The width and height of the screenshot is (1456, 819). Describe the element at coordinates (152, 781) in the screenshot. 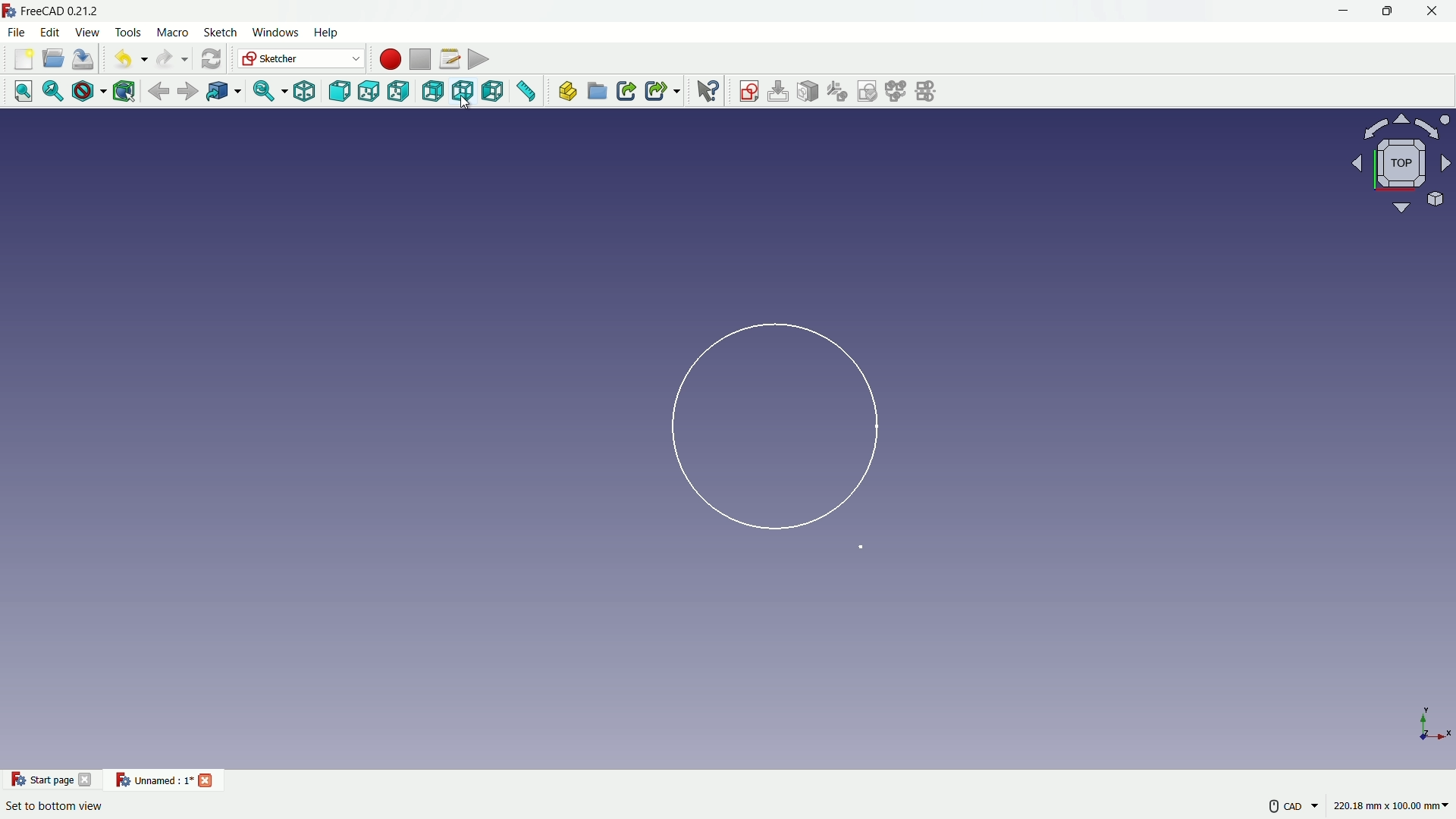

I see `file name` at that location.